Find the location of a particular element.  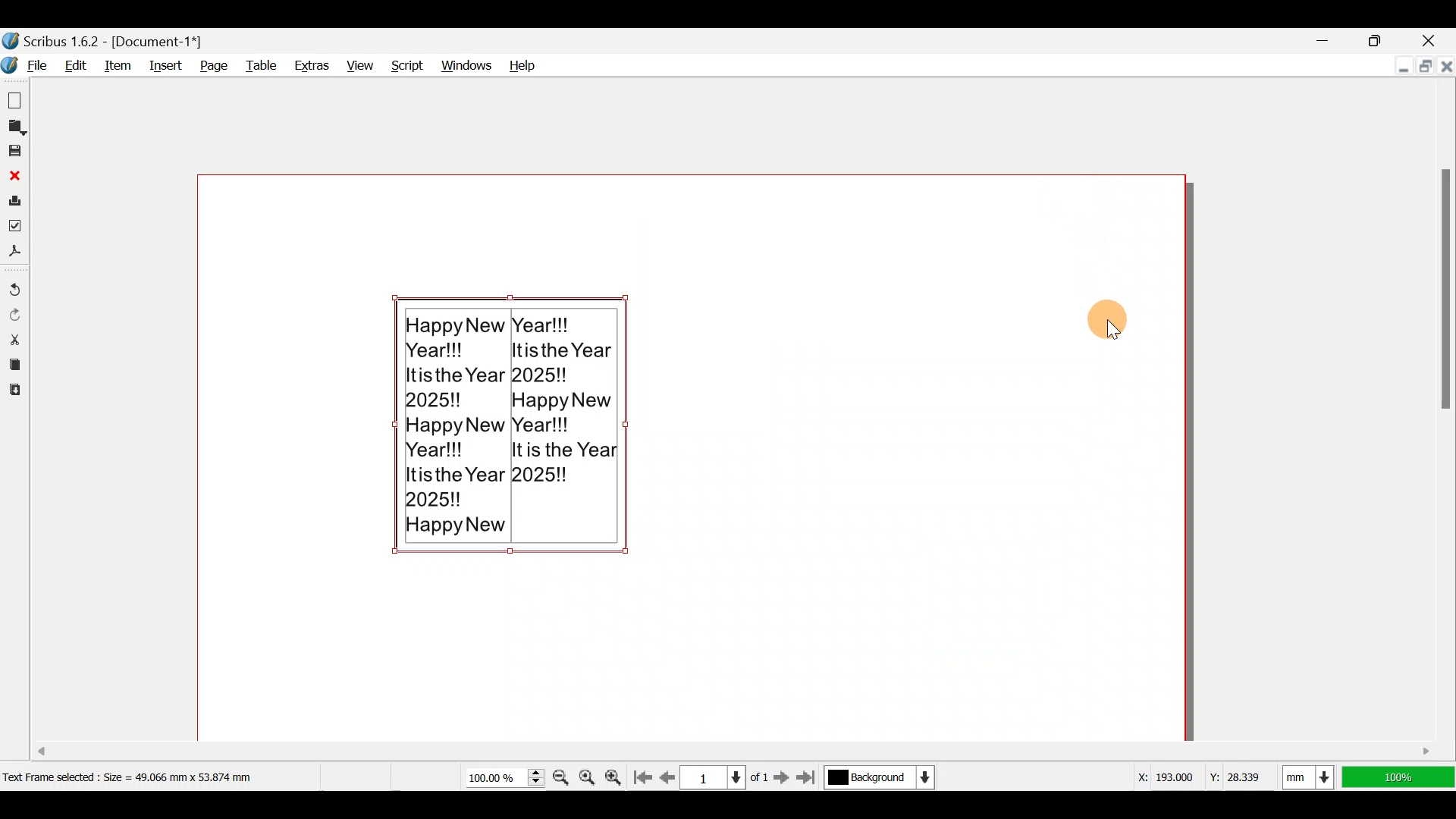

Scroll bar is located at coordinates (609, 747).